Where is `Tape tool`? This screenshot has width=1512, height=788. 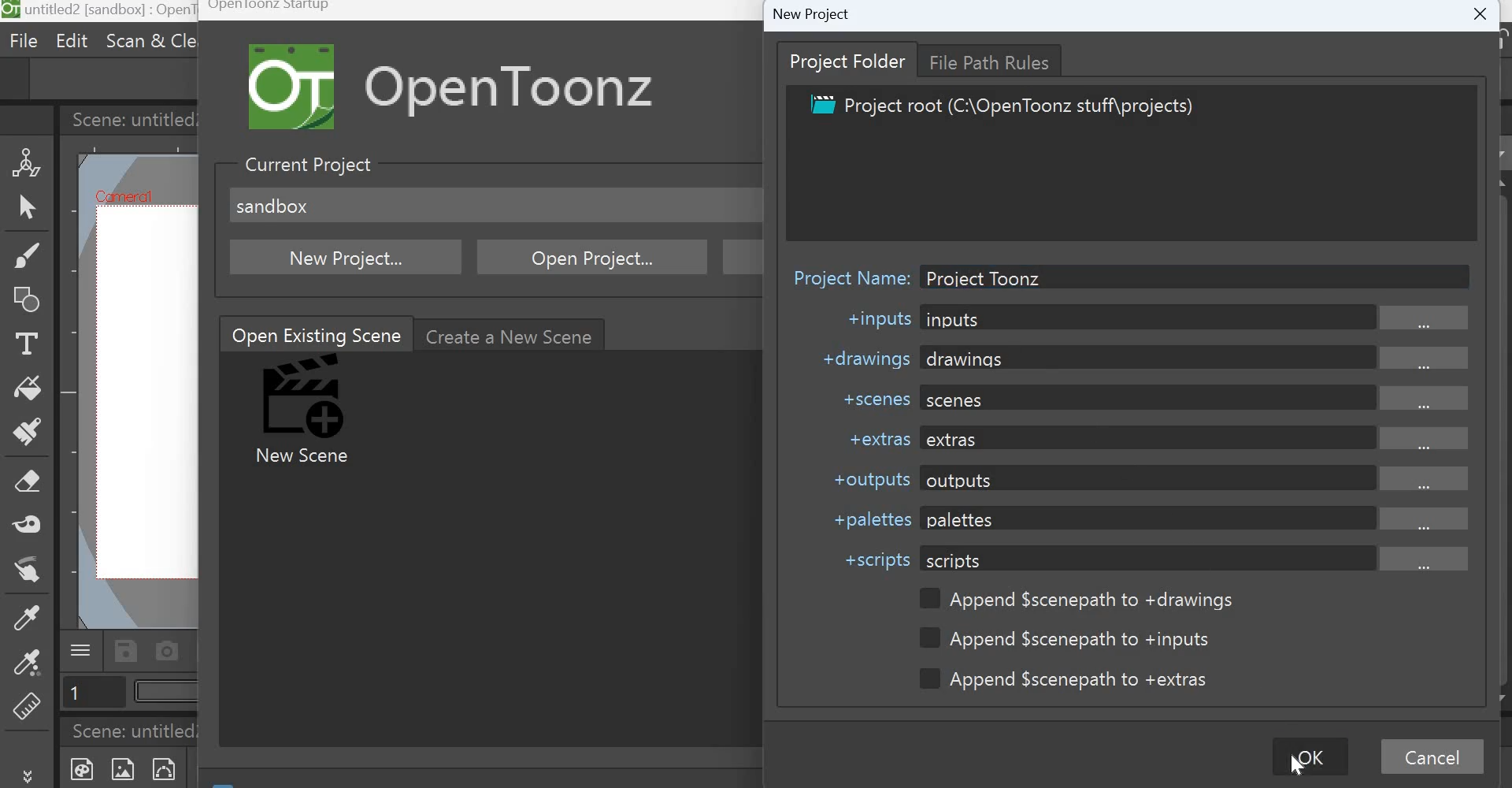
Tape tool is located at coordinates (31, 523).